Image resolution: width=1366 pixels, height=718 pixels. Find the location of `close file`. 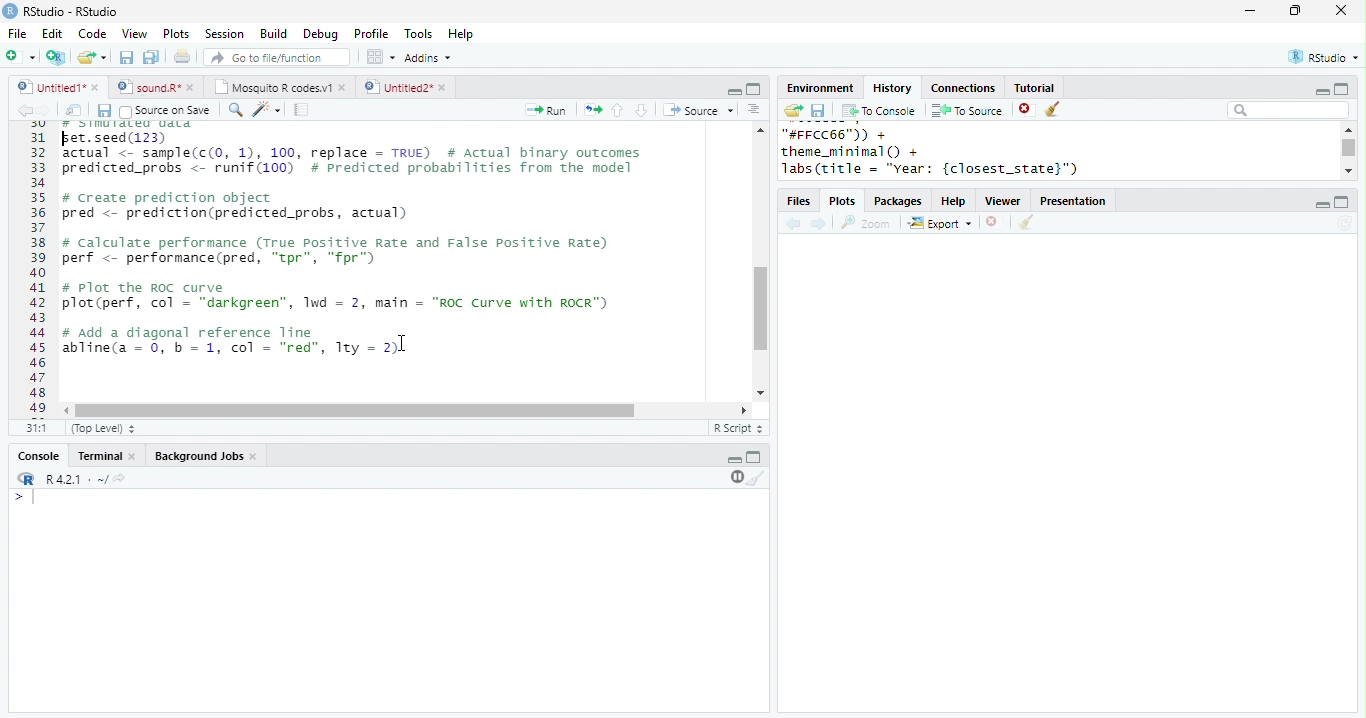

close file is located at coordinates (995, 223).